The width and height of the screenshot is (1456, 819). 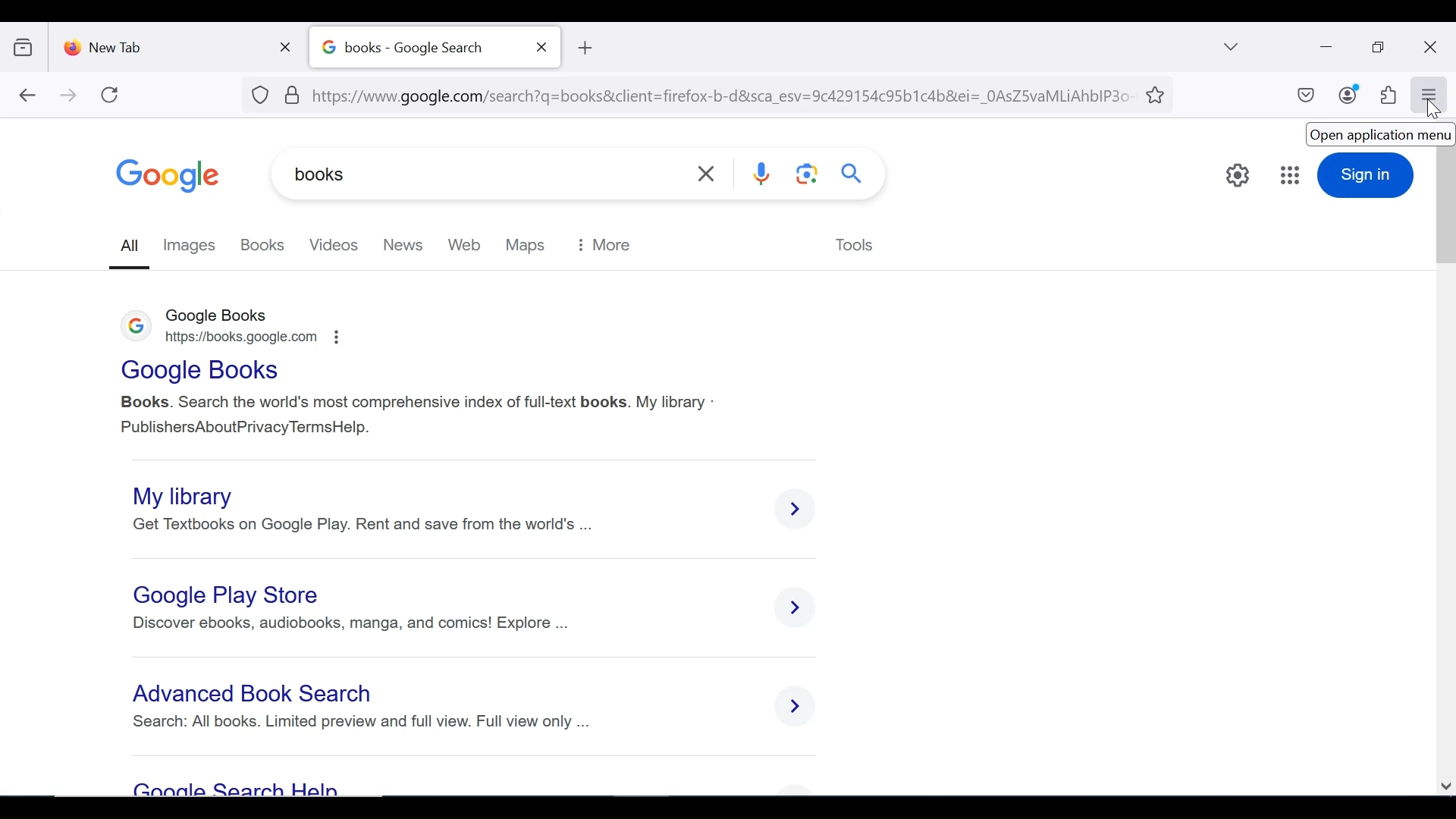 I want to click on bookmark this tab, so click(x=1158, y=93).